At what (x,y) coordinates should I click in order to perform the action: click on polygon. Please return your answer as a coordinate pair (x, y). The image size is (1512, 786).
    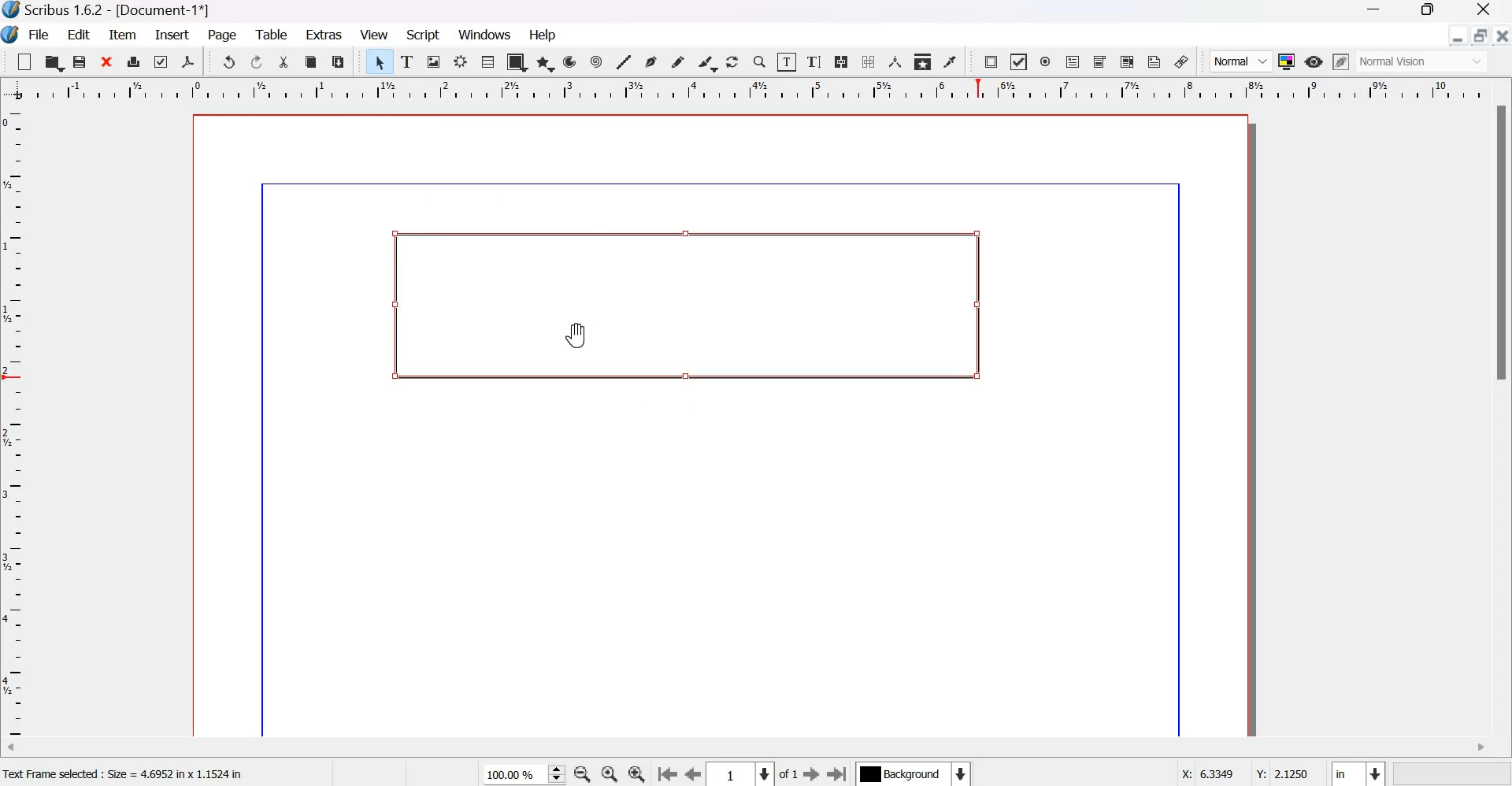
    Looking at the image, I should click on (547, 63).